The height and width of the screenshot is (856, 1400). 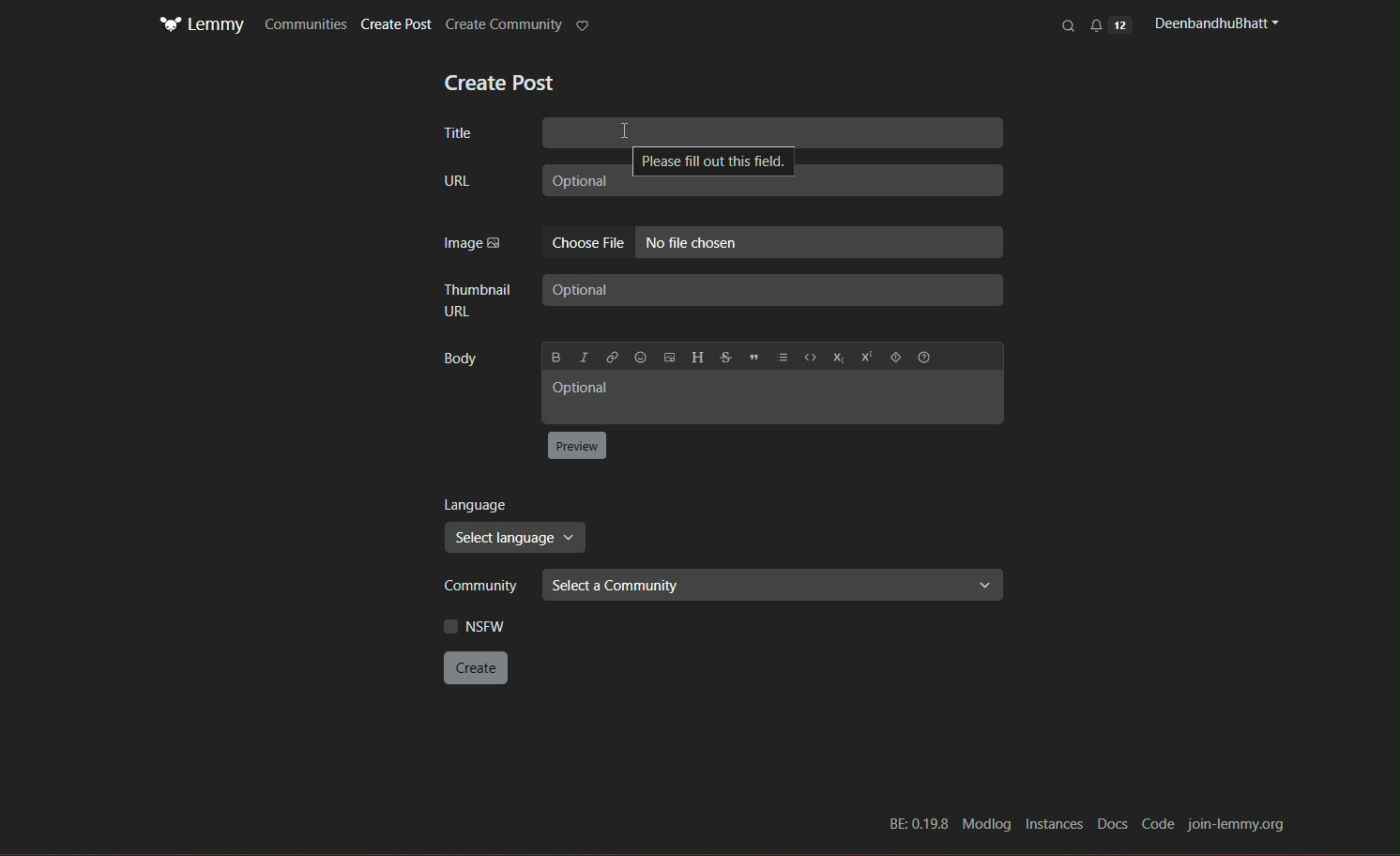 I want to click on Body, so click(x=465, y=361).